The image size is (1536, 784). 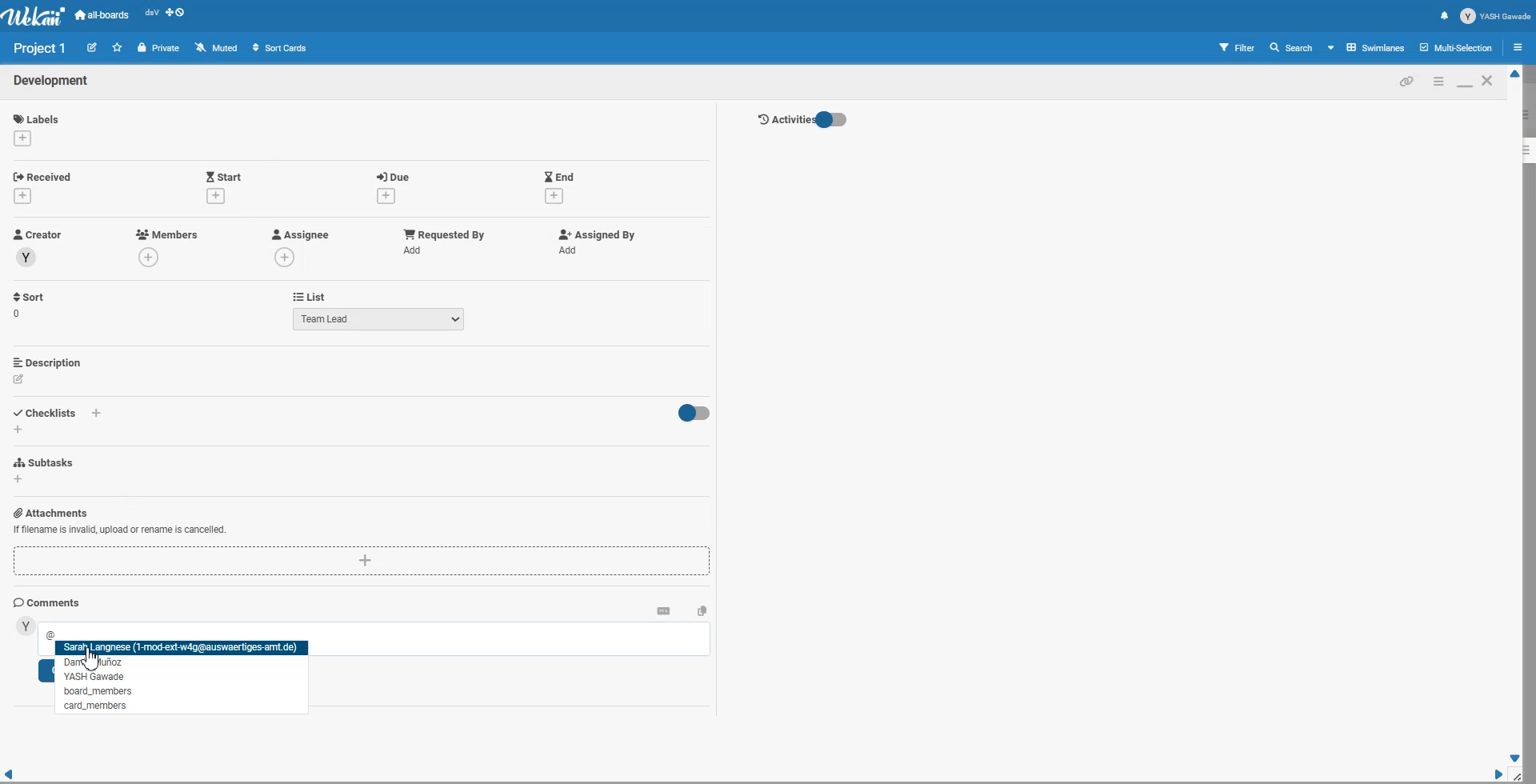 I want to click on Recent open file, so click(x=151, y=15).